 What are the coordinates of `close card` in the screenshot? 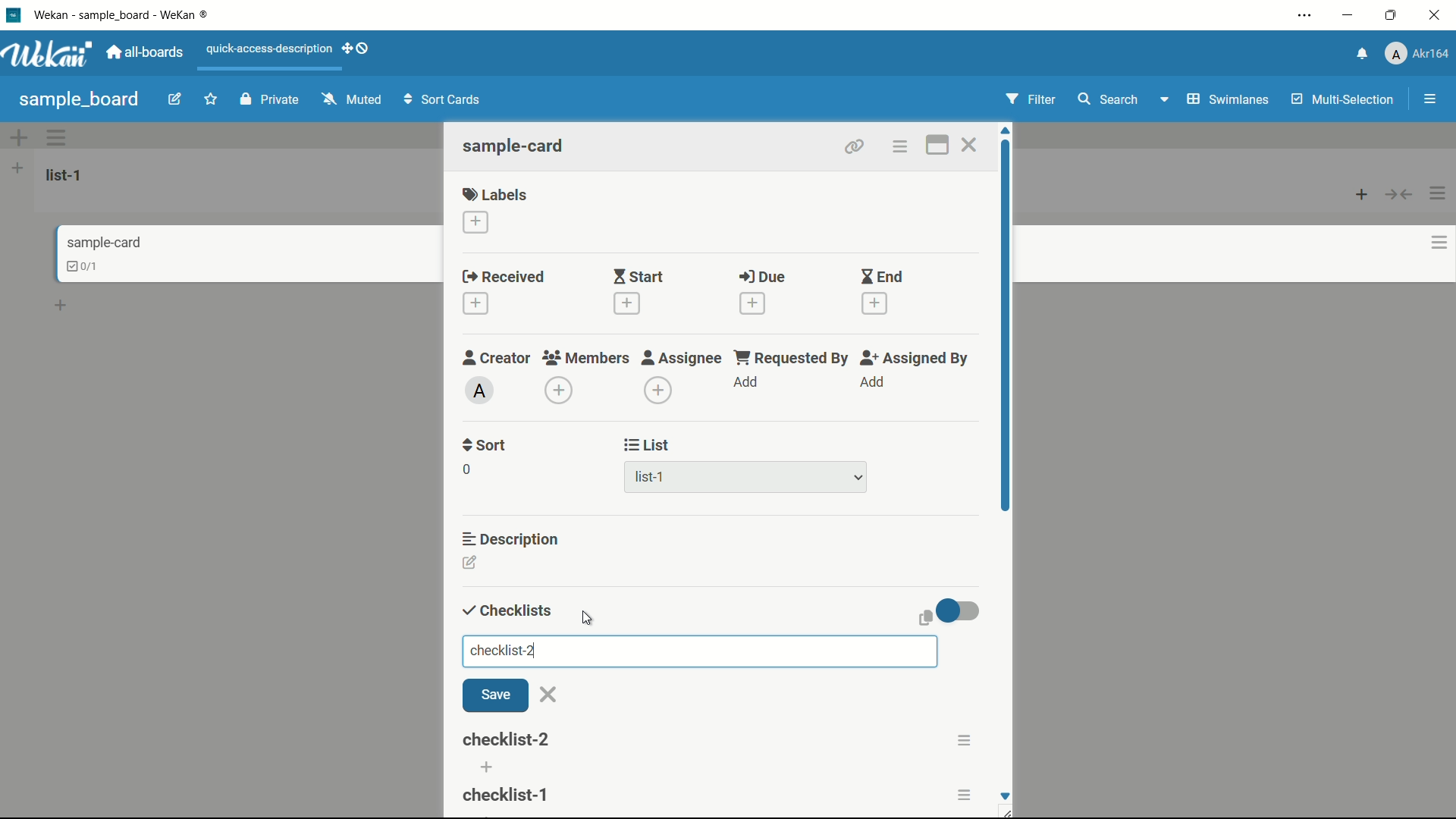 It's located at (968, 147).